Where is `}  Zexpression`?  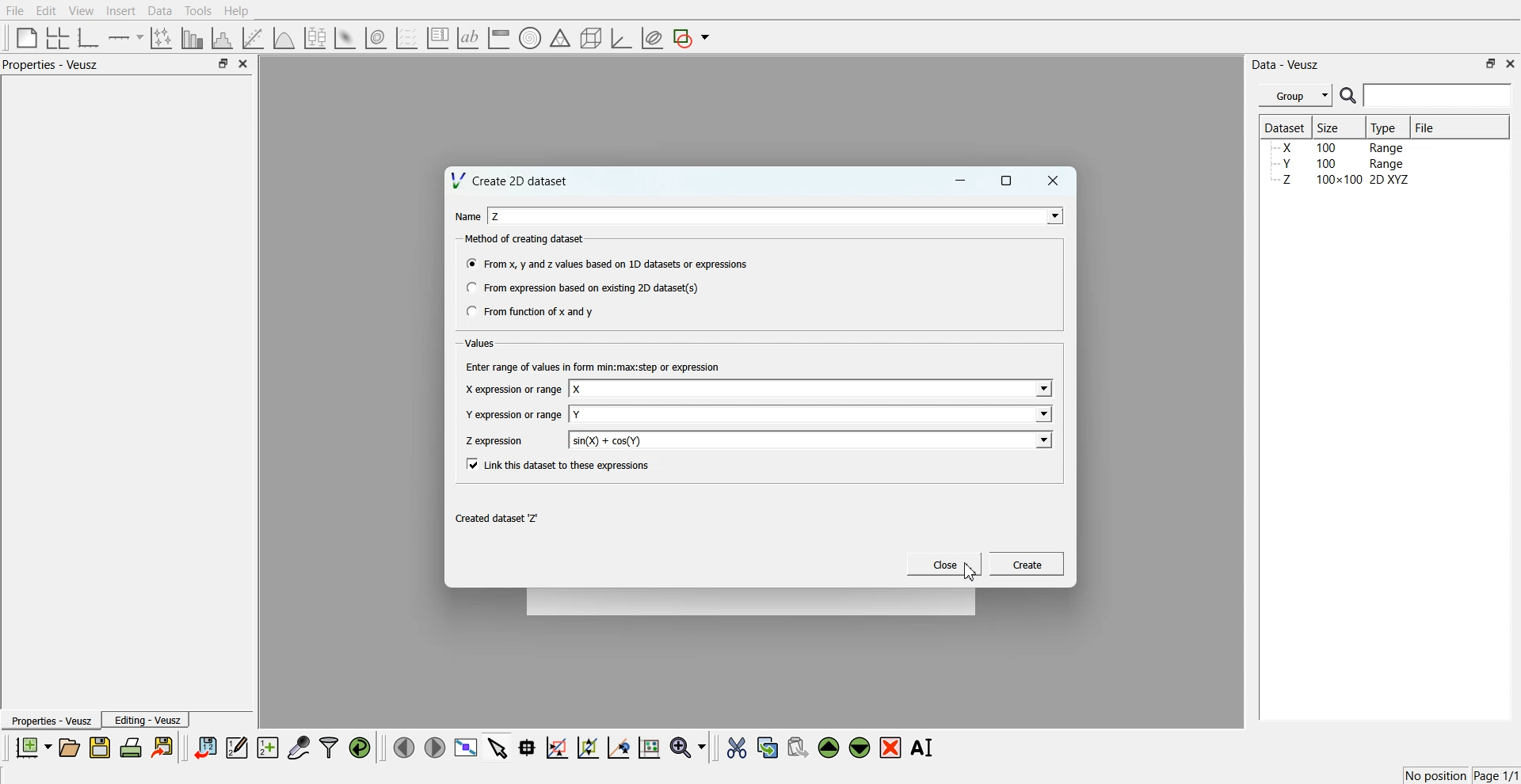
}  Zexpression is located at coordinates (496, 441).